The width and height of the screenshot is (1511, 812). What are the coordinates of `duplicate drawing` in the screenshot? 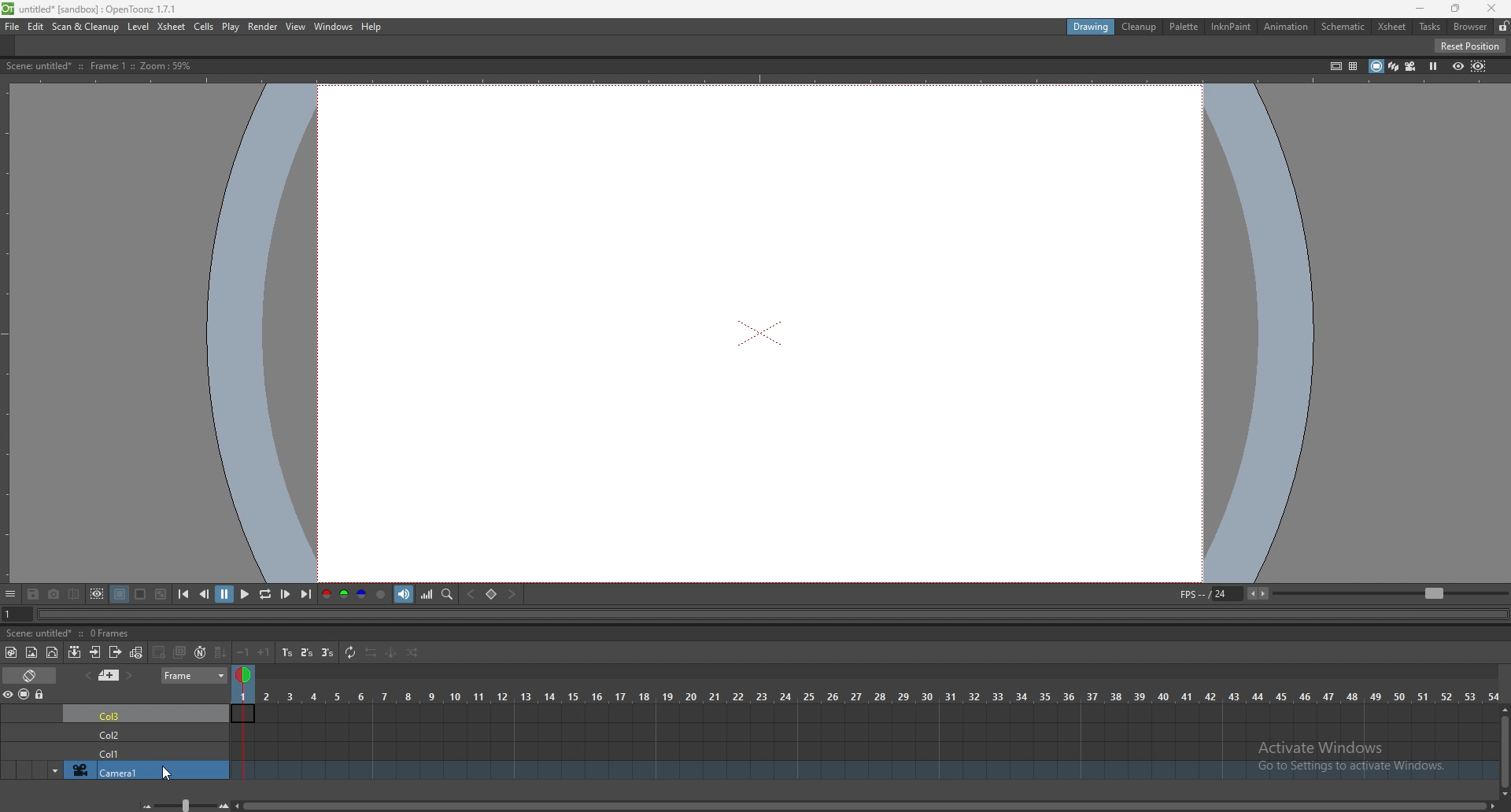 It's located at (181, 651).